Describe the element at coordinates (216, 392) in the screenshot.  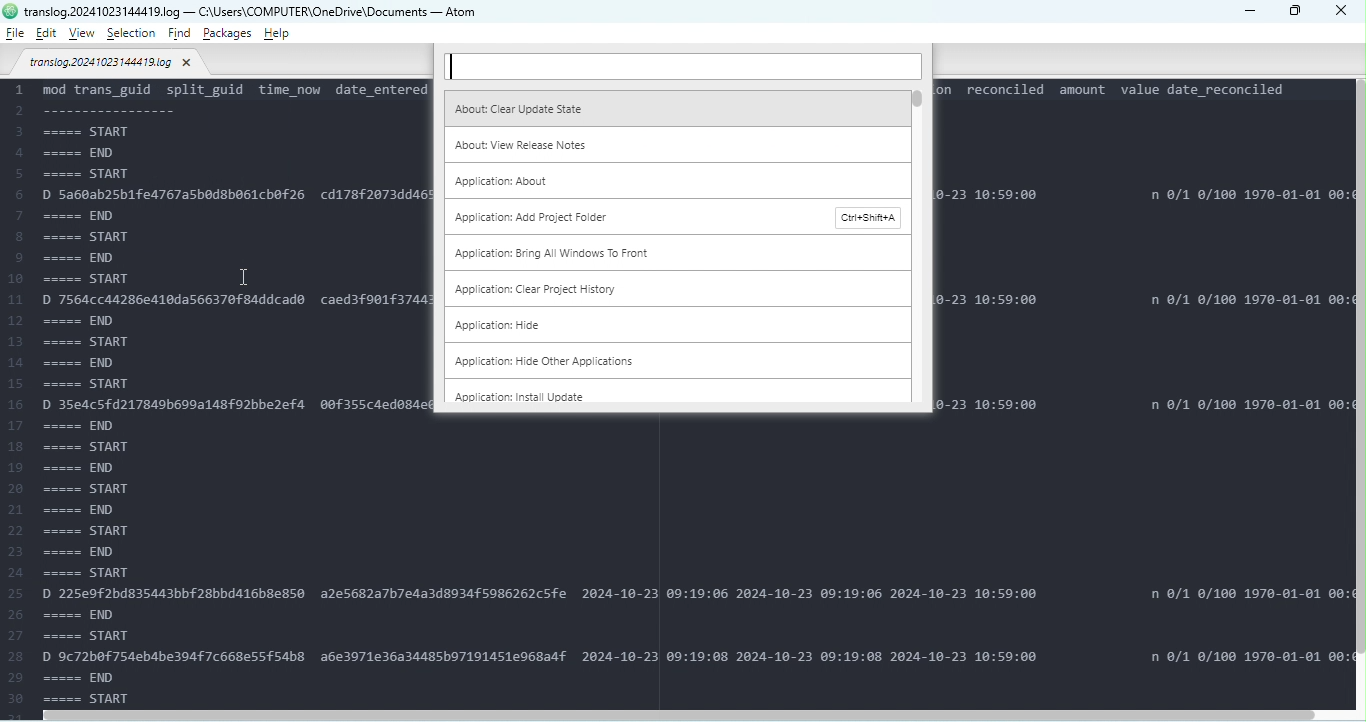
I see `File content - The code appears to be related to data entries or logs, possibly from a database or system process. It includes elements like:  START/END: Markers indicating the beginning and end of a data record. GUIDs (Globally Unique Identifiers): Long strings of characters that uniquely identify each record. Timestamps: Dates and times associated with the records, such as 2024-10-23 09:14:29. Counters/Indexes: Values like "n 0/1 100" or "0/1 100", which might indicate record numbers or positions. Date Codes: Such as 1970-01-01 00, which might represent default or initial dates. ` at that location.